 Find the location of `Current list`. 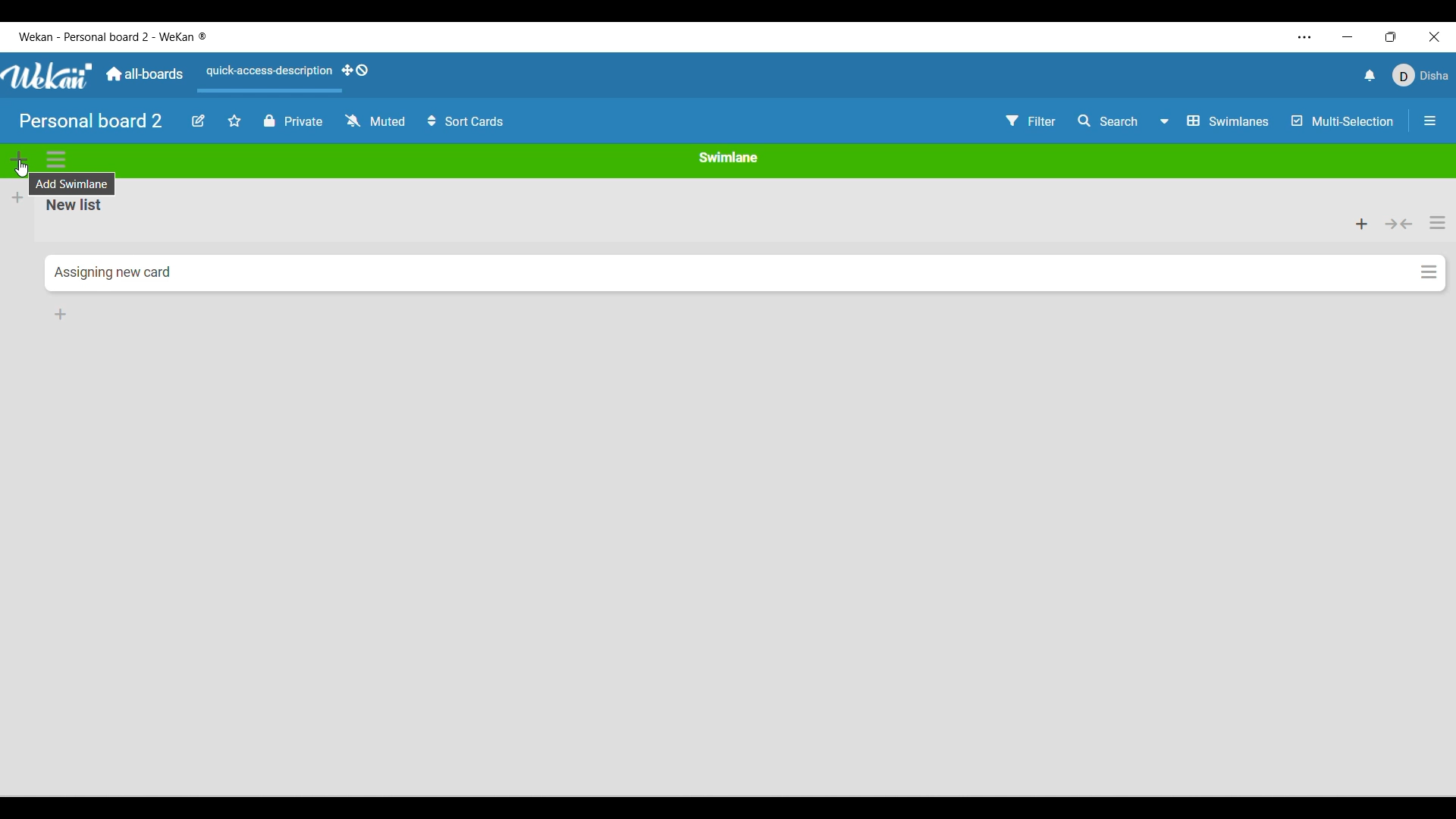

Current list is located at coordinates (690, 218).